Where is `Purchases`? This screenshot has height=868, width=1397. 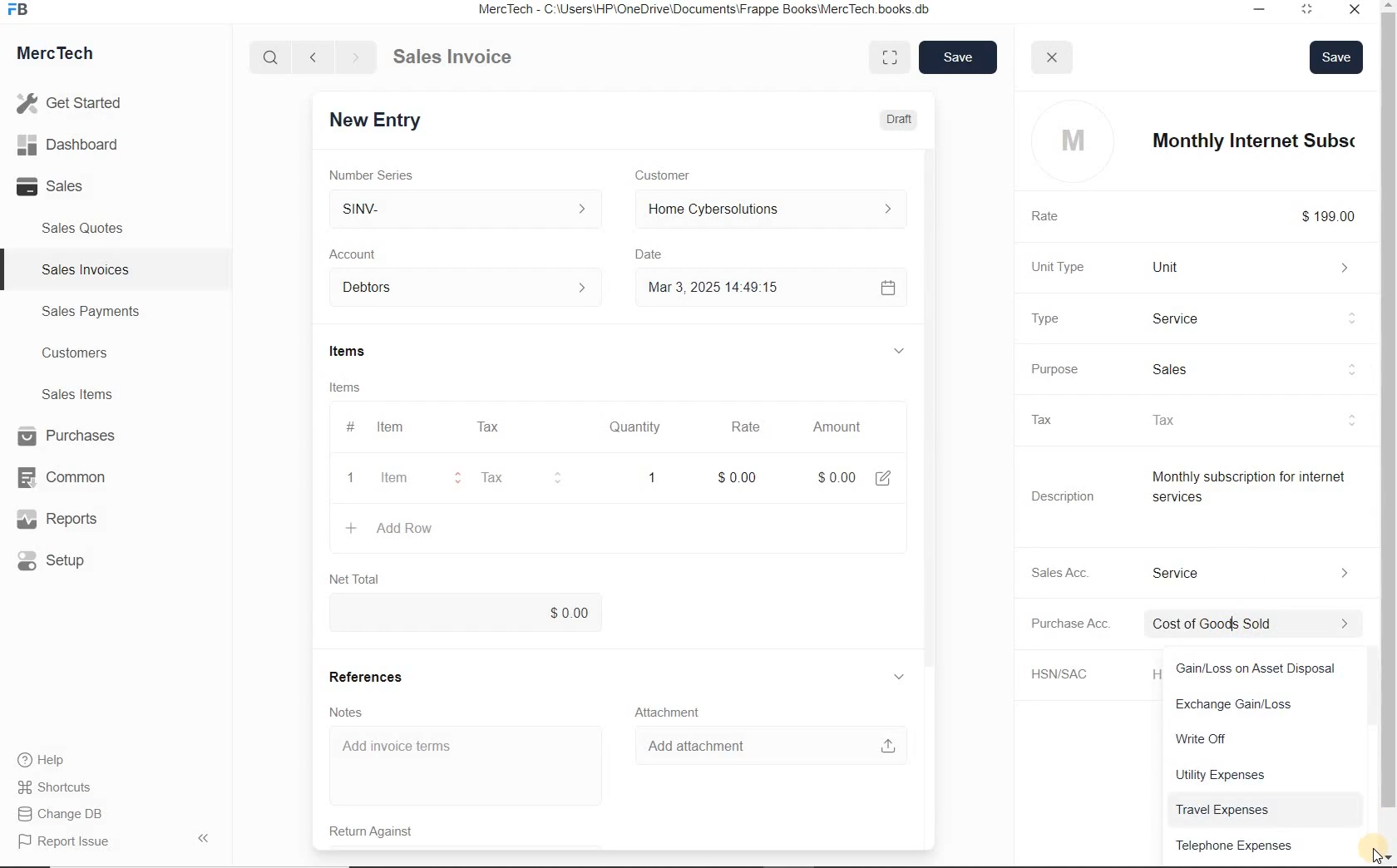 Purchases is located at coordinates (69, 437).